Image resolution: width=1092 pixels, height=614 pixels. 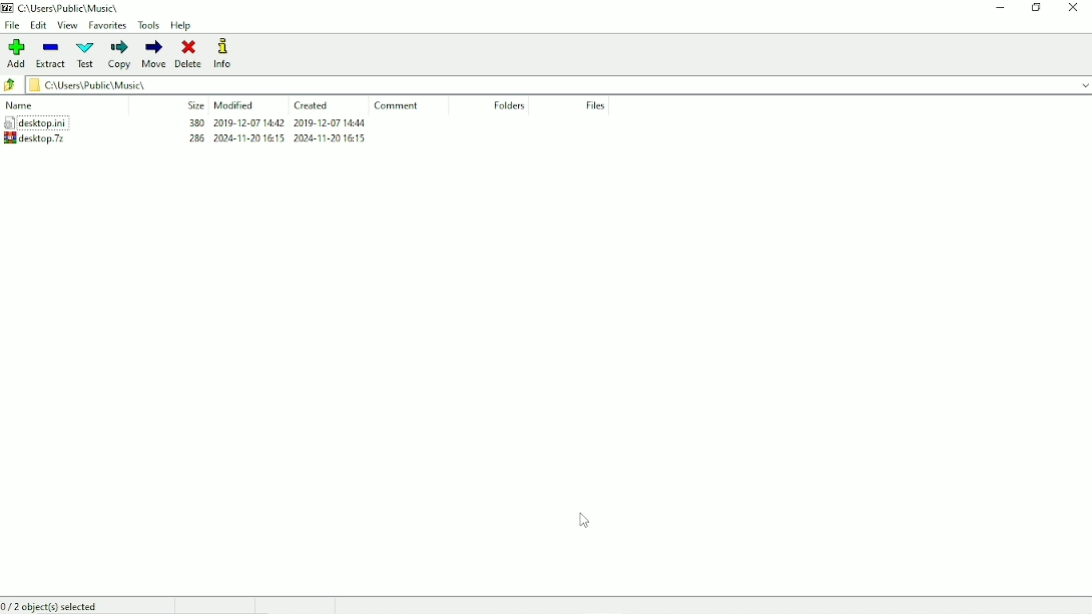 What do you see at coordinates (121, 55) in the screenshot?
I see `Copy` at bounding box center [121, 55].